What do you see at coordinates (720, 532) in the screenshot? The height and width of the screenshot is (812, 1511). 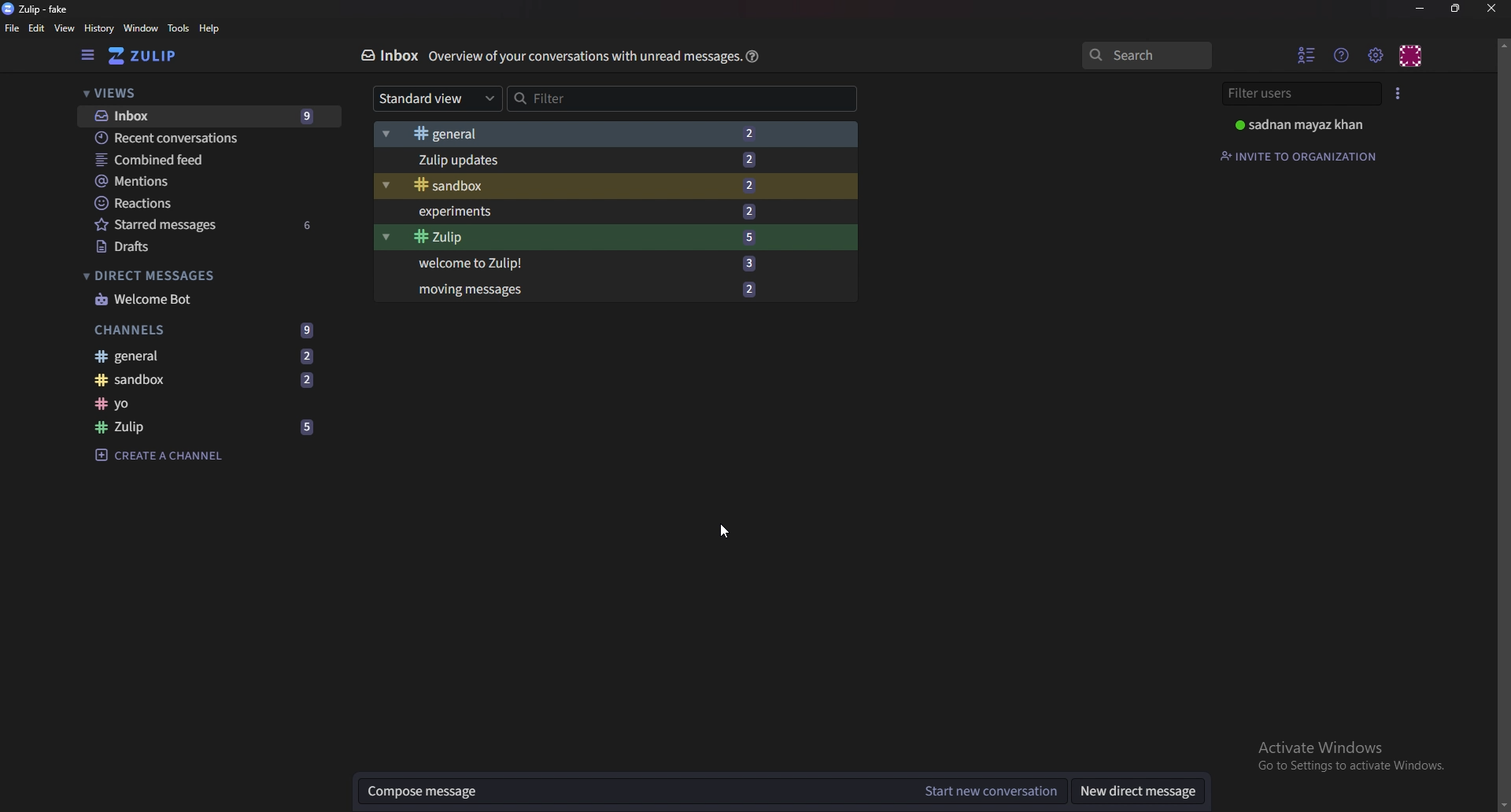 I see `cursor` at bounding box center [720, 532].